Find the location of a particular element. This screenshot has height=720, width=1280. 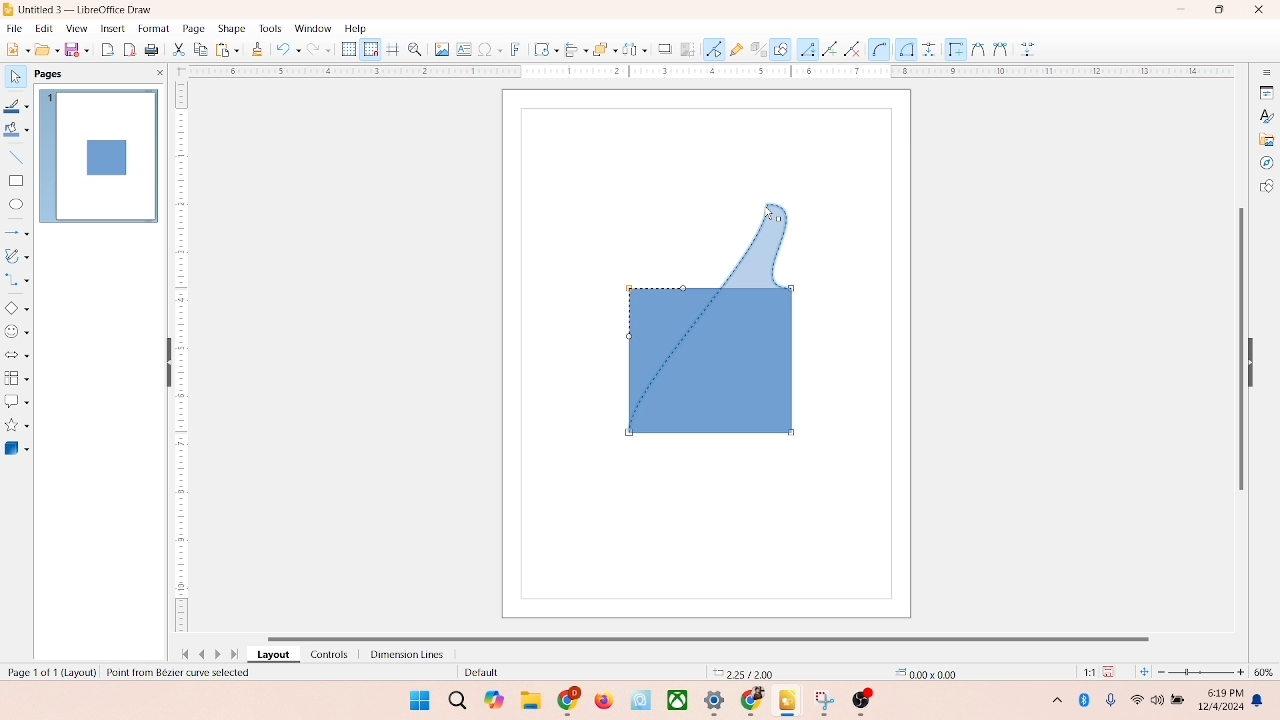

Combine tool is located at coordinates (999, 48).